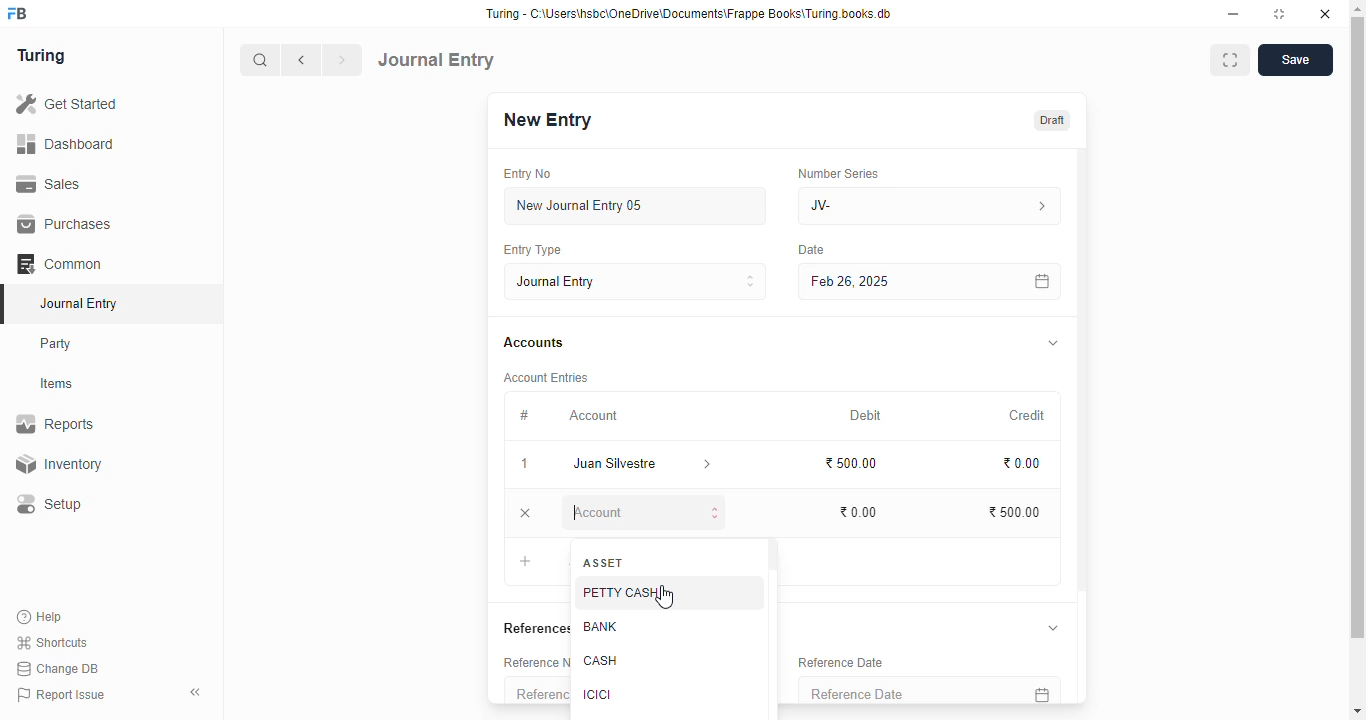 The height and width of the screenshot is (720, 1366). I want to click on juan silvestre, so click(613, 464).